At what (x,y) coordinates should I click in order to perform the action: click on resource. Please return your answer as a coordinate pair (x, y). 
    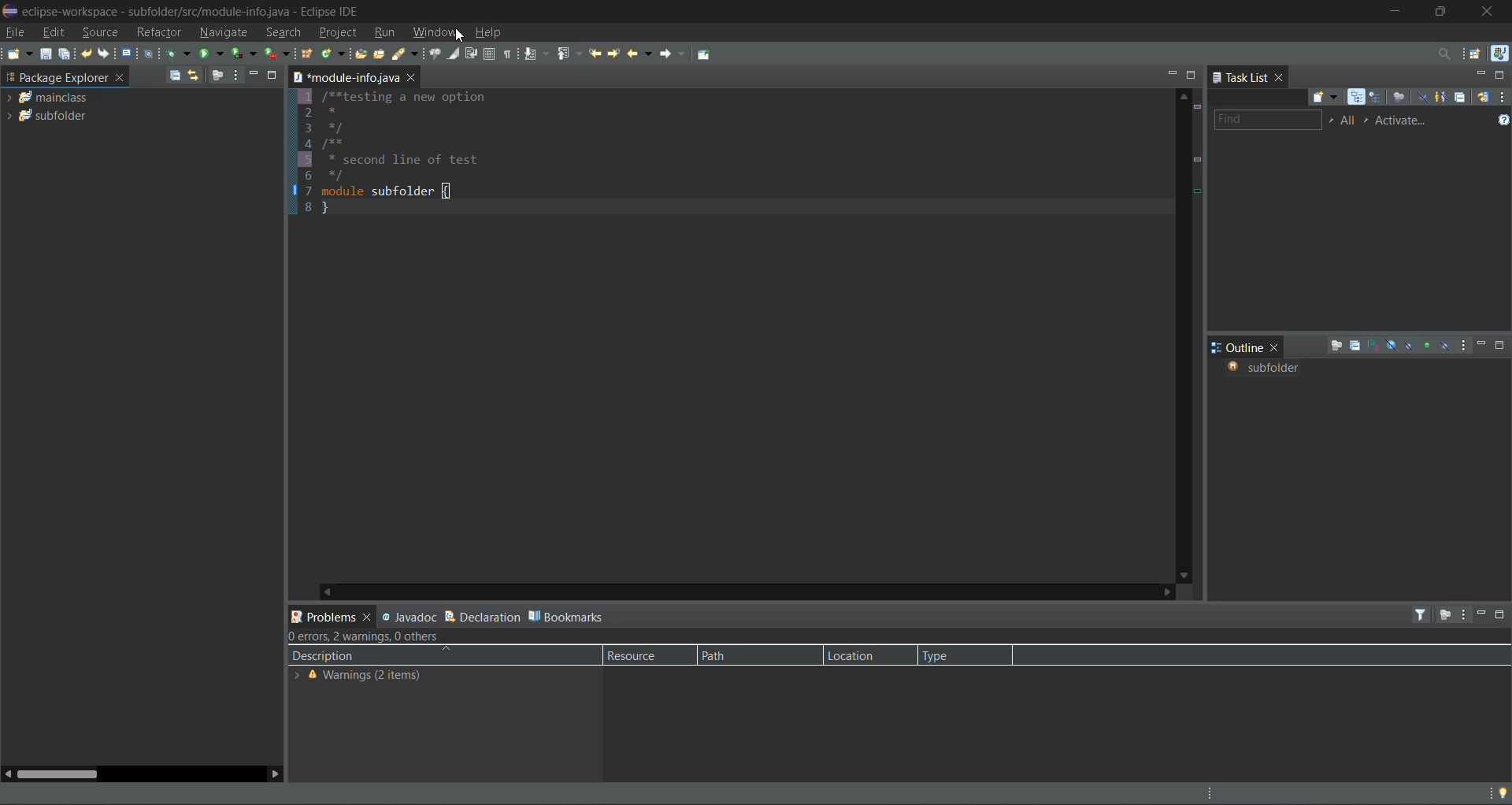
    Looking at the image, I should click on (639, 655).